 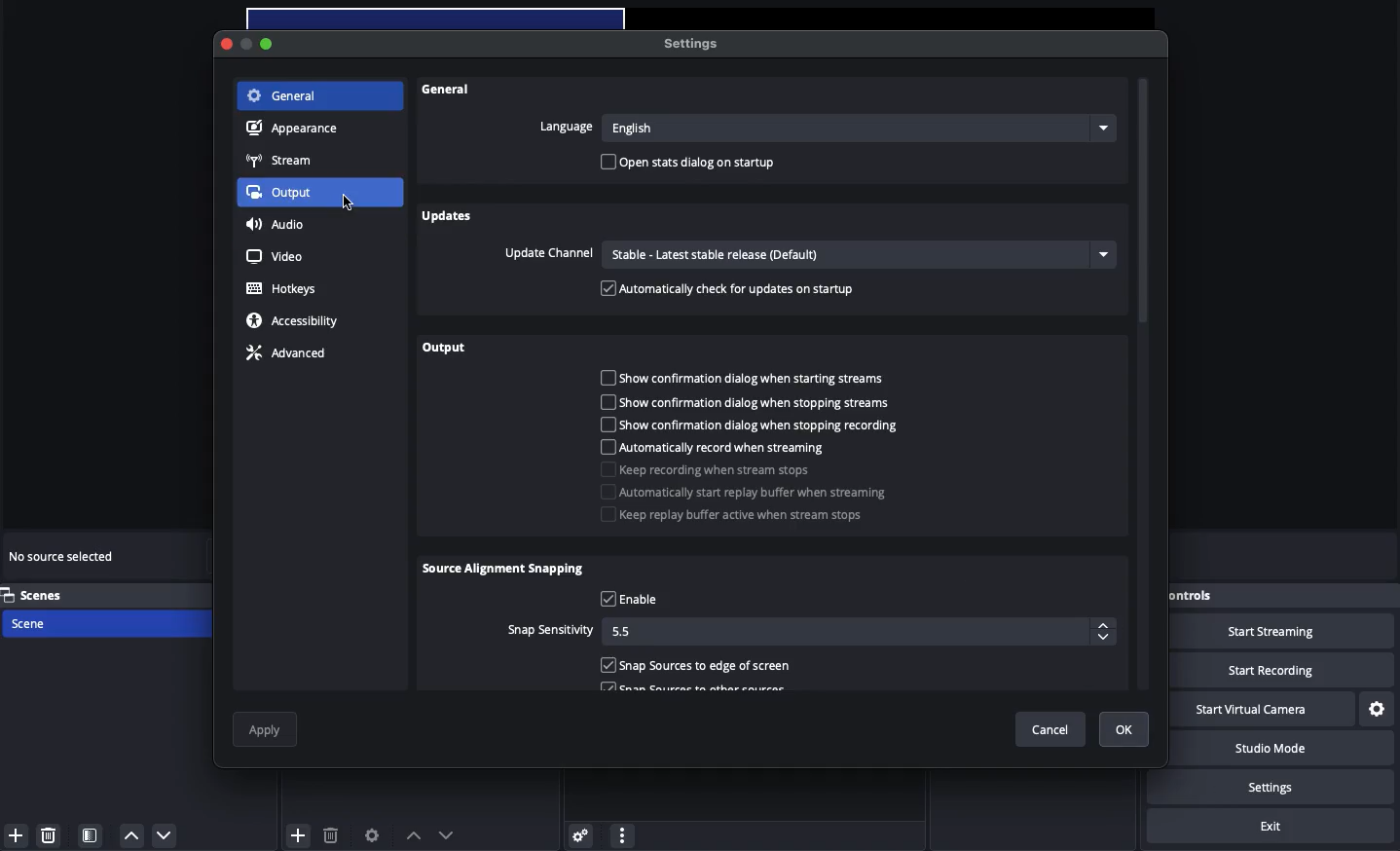 What do you see at coordinates (860, 634) in the screenshot?
I see `5.5` at bounding box center [860, 634].